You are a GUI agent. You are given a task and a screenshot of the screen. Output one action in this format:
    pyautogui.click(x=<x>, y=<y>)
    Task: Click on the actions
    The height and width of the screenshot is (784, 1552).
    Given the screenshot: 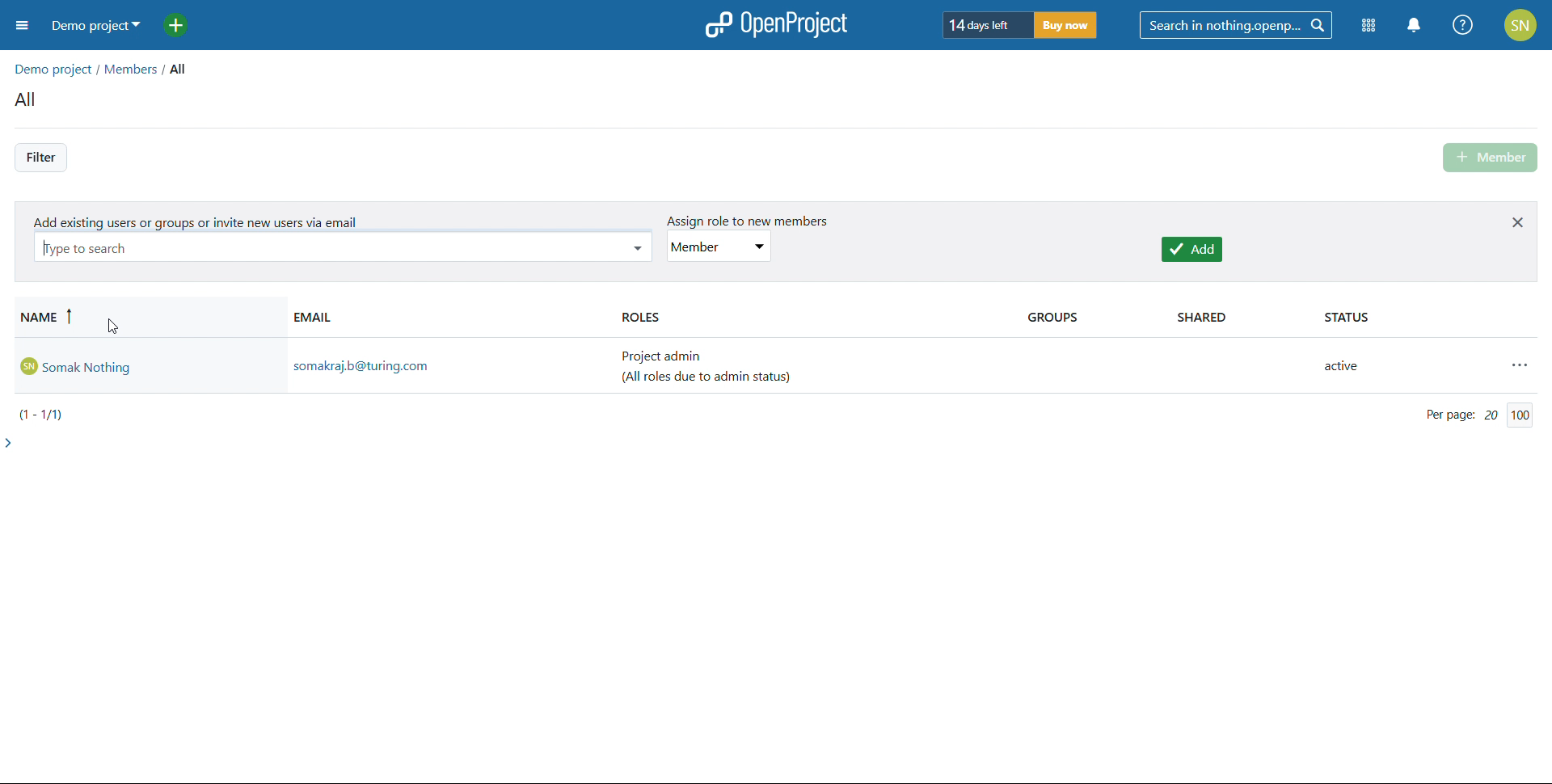 What is the action you would take?
    pyautogui.click(x=1522, y=365)
    